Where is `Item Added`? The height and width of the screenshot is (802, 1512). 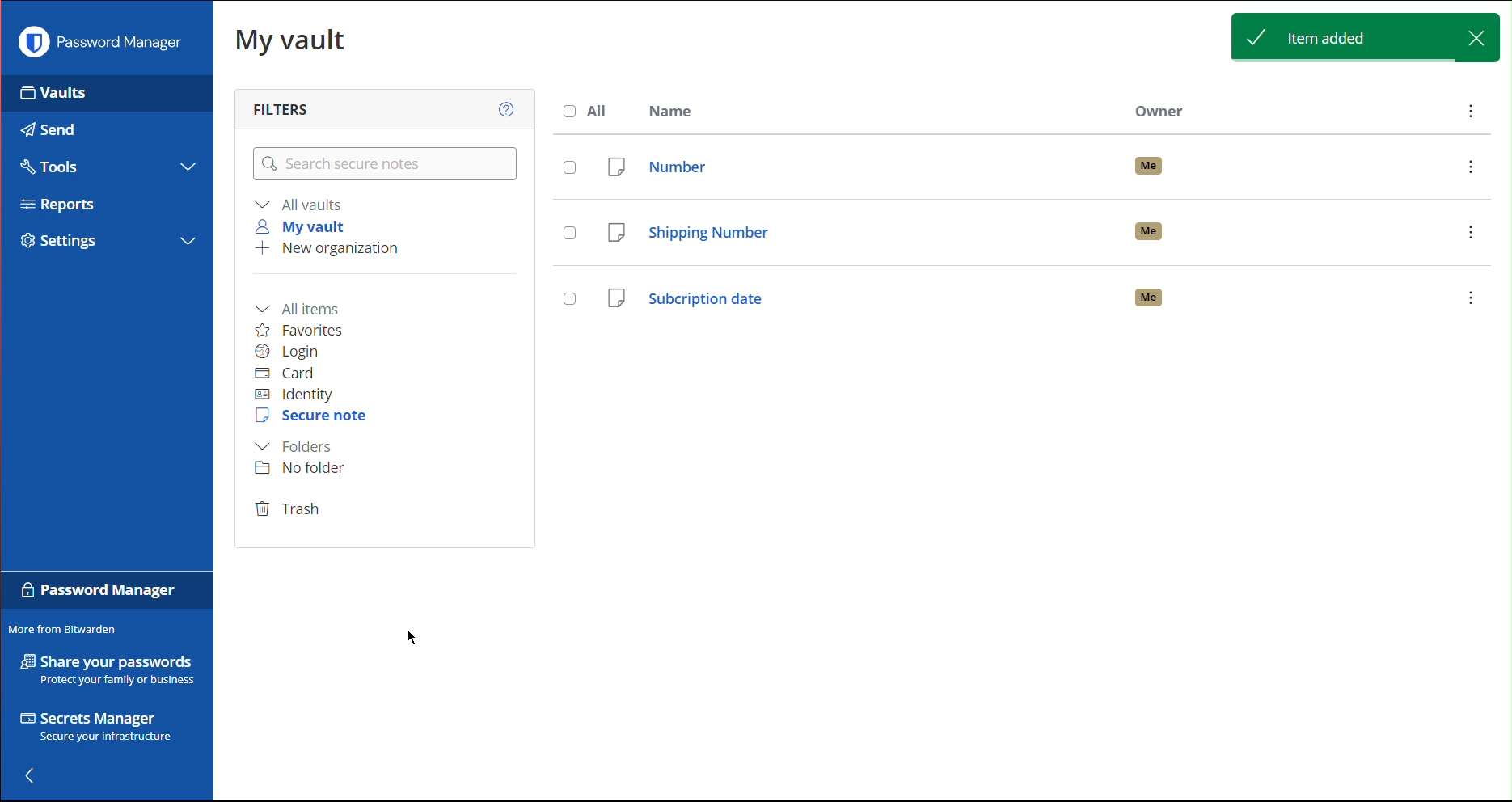
Item Added is located at coordinates (1362, 37).